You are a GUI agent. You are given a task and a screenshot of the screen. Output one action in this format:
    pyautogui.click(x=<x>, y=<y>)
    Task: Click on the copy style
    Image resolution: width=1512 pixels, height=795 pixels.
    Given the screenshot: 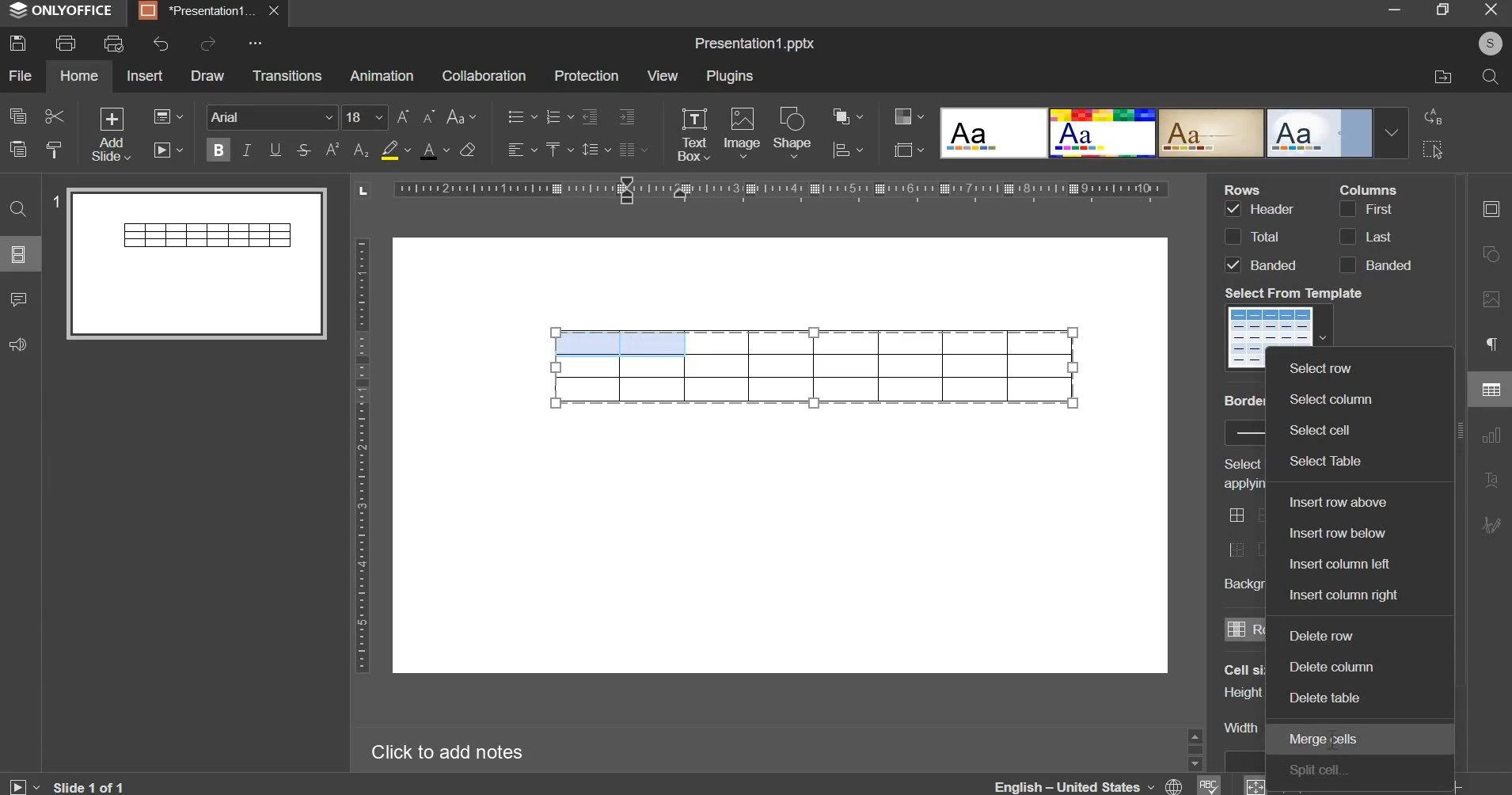 What is the action you would take?
    pyautogui.click(x=56, y=150)
    